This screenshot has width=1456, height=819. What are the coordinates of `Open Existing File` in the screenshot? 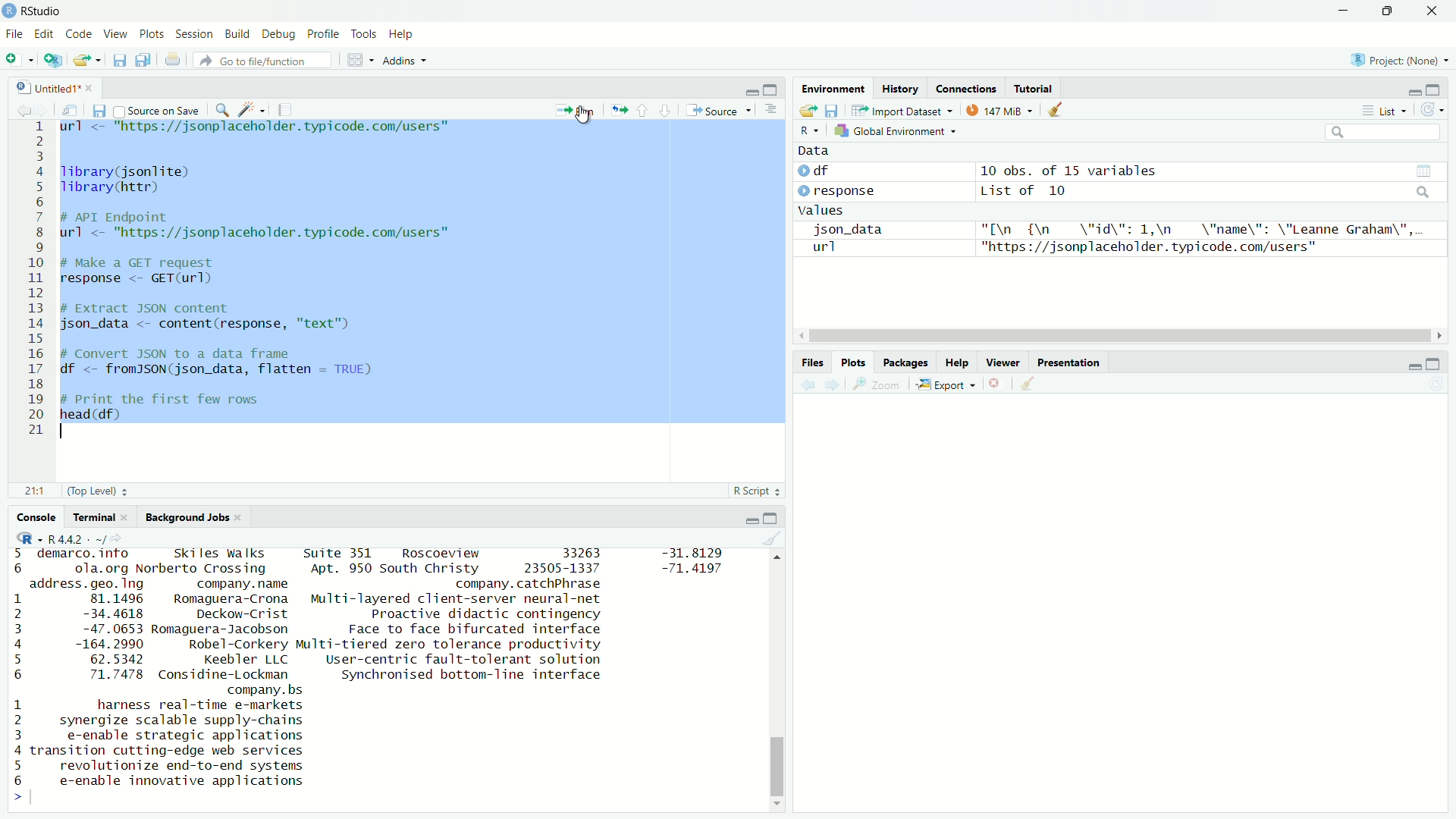 It's located at (87, 60).